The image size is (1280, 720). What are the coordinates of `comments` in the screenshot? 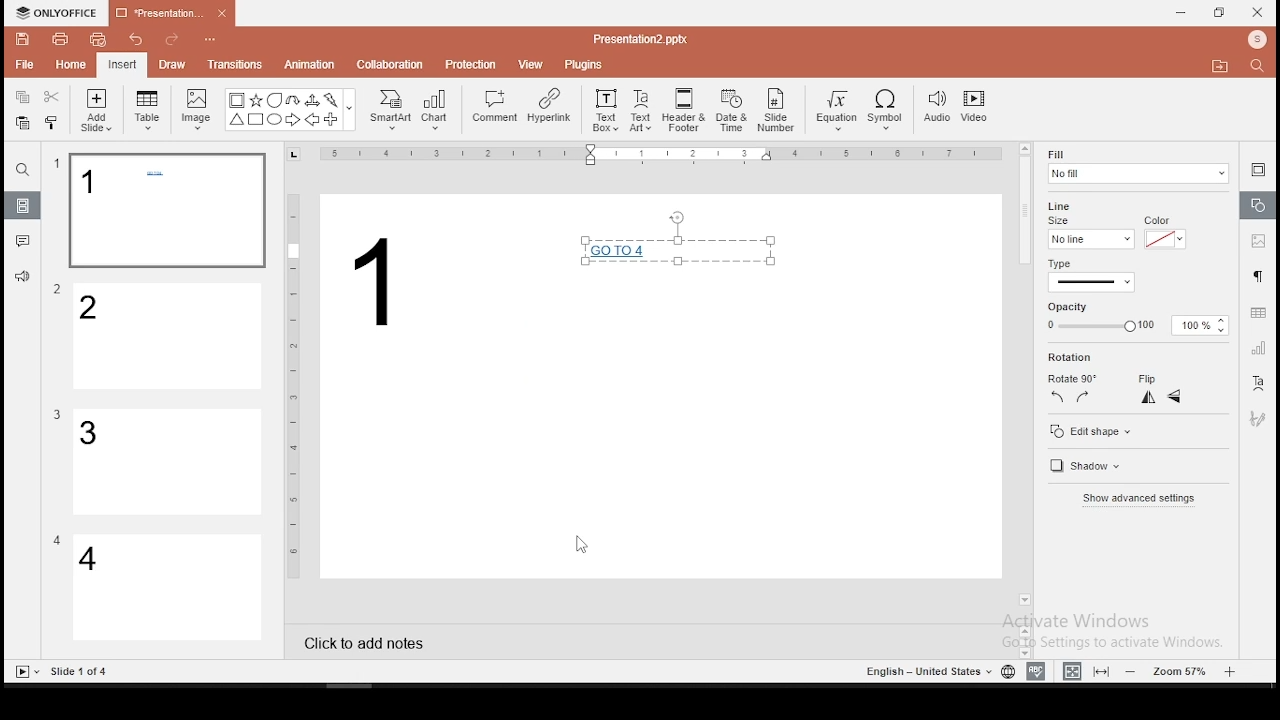 It's located at (23, 241).